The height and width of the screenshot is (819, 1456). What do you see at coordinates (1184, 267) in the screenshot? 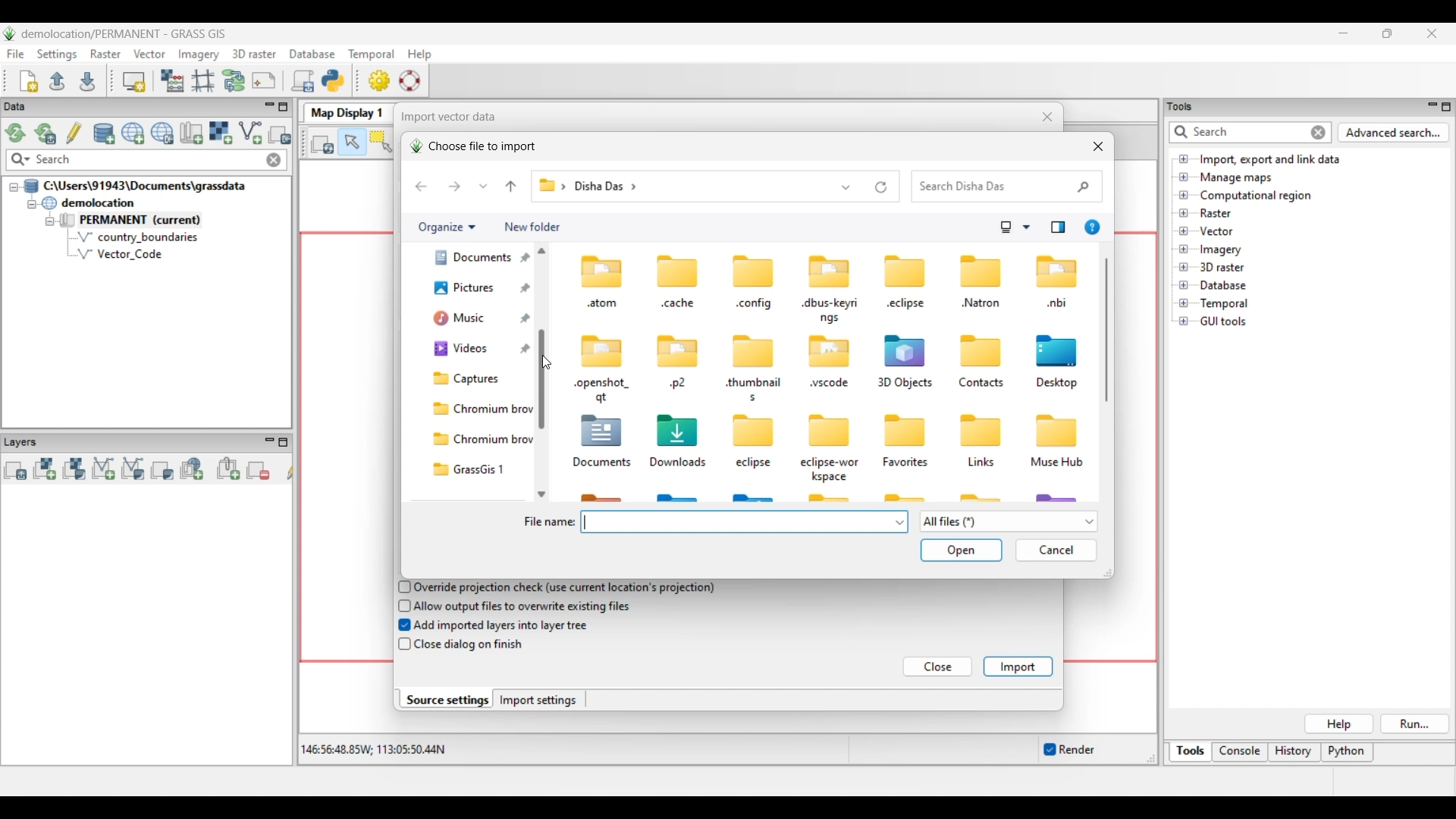
I see `Click to open files under 3D Raster` at bounding box center [1184, 267].